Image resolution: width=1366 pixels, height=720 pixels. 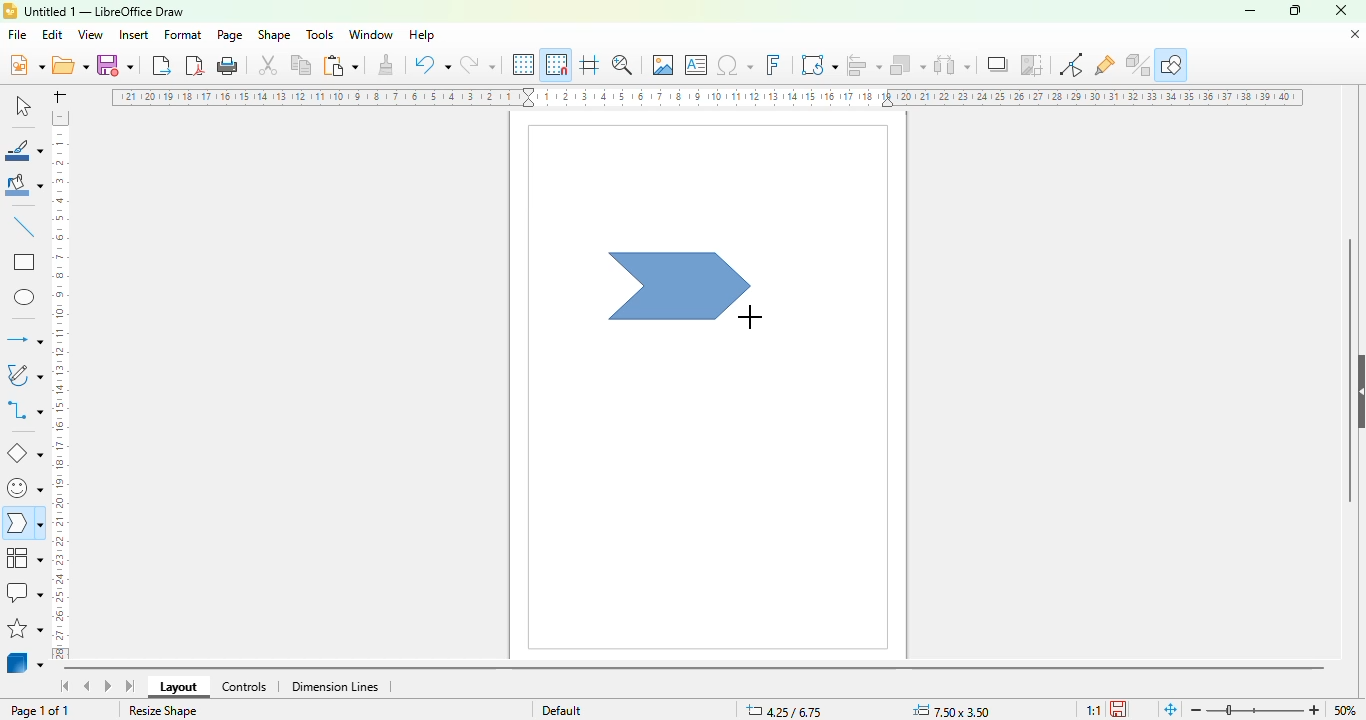 I want to click on export directly as PDF, so click(x=195, y=65).